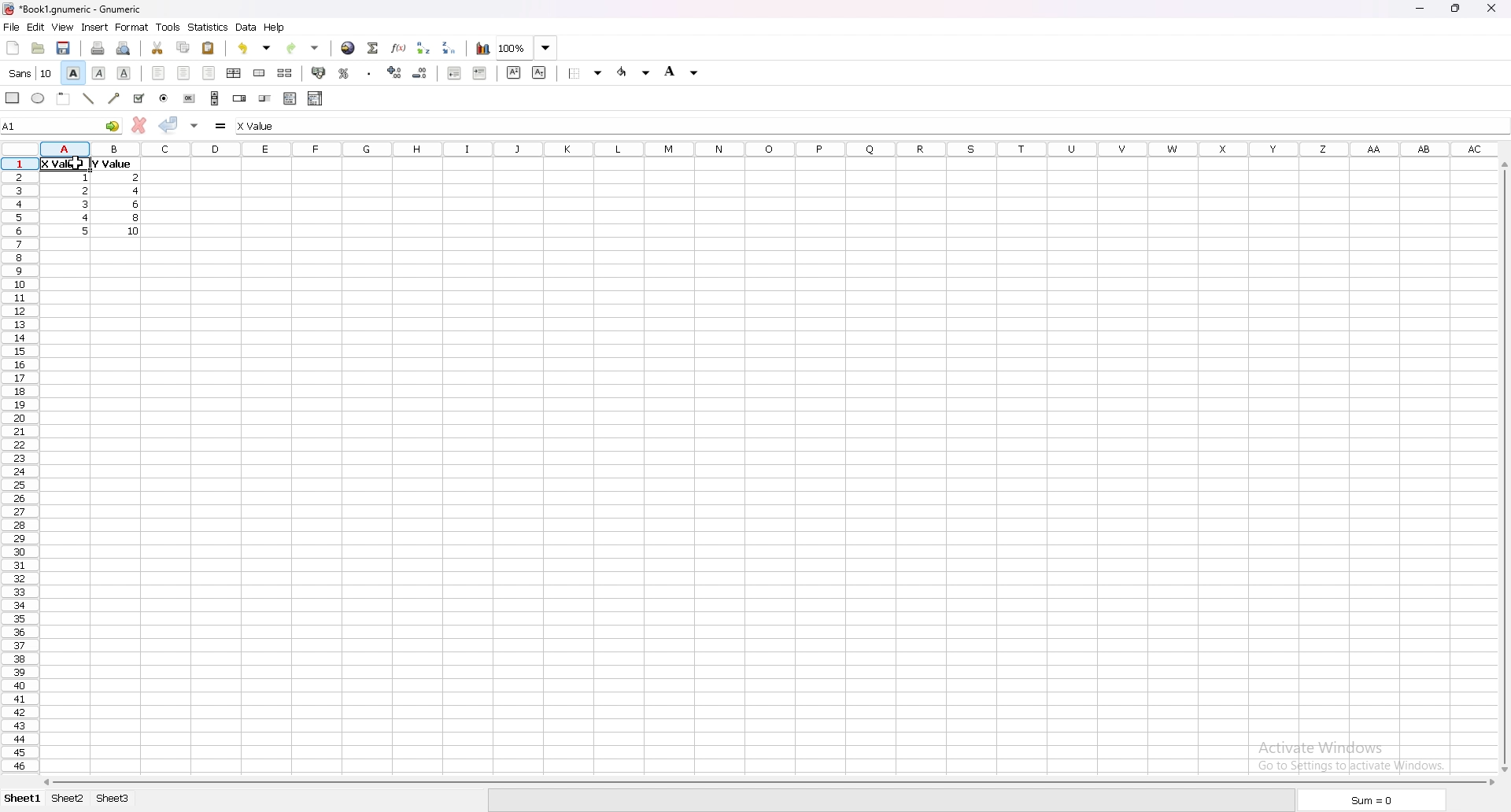 This screenshot has width=1511, height=812. What do you see at coordinates (74, 164) in the screenshot?
I see `cursor` at bounding box center [74, 164].